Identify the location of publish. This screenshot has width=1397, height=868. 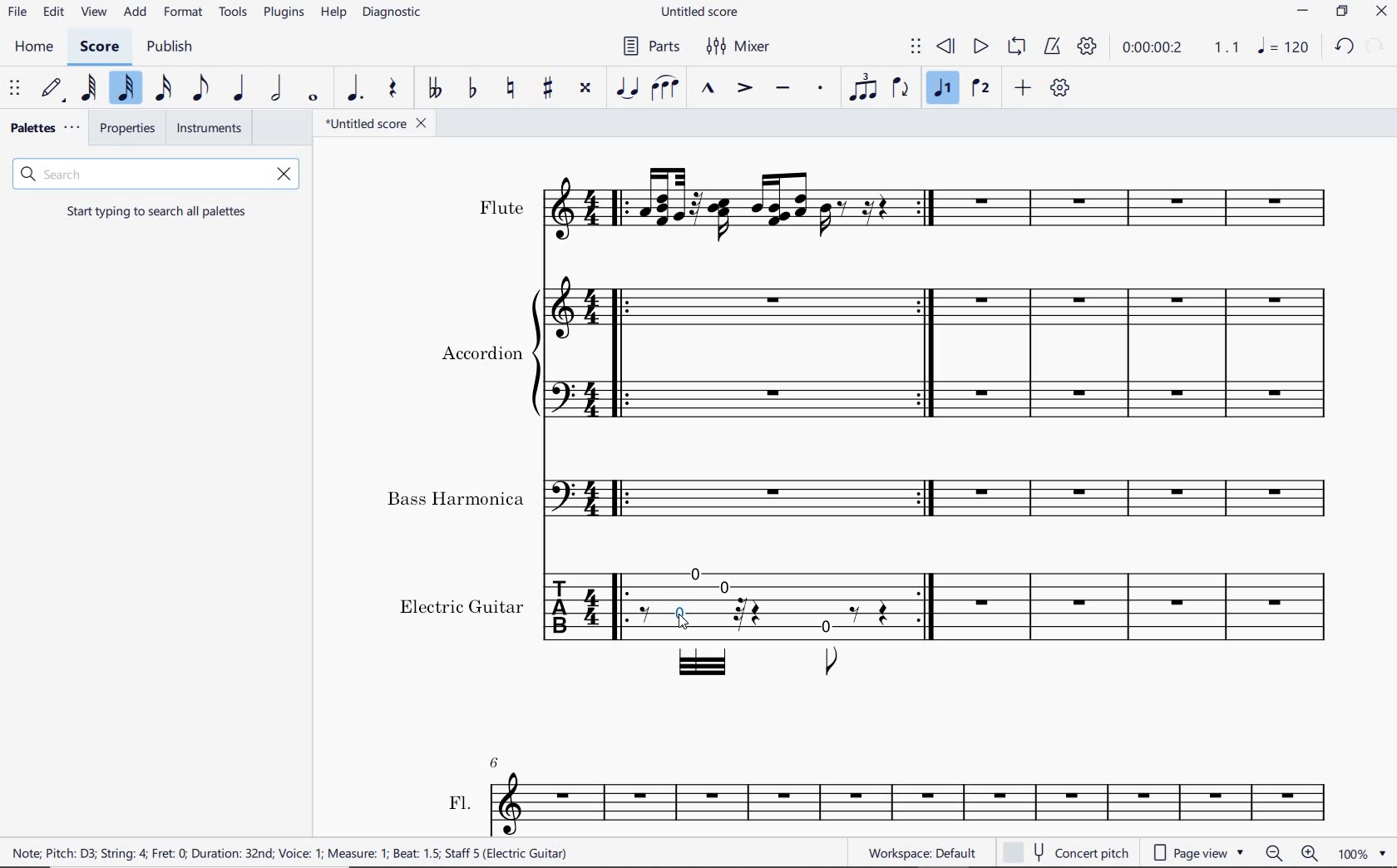
(170, 47).